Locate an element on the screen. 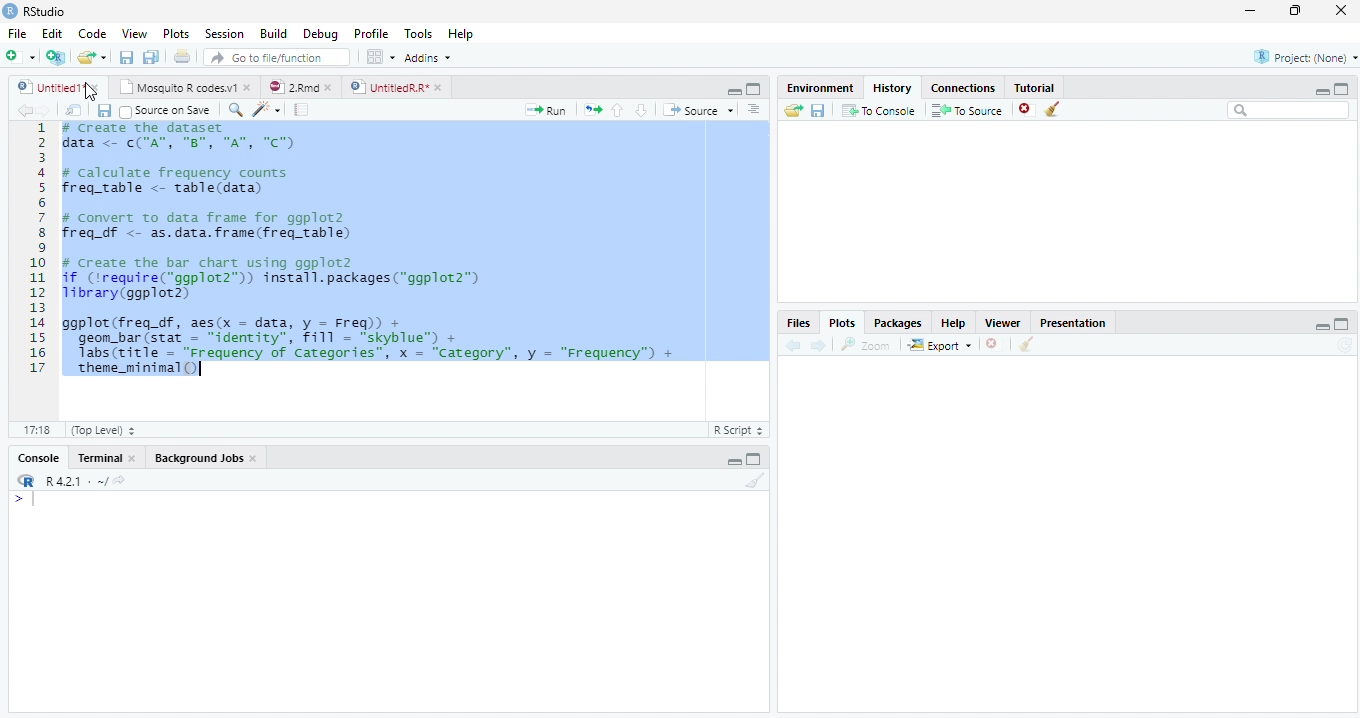 The width and height of the screenshot is (1360, 718). Maximize is located at coordinates (756, 461).